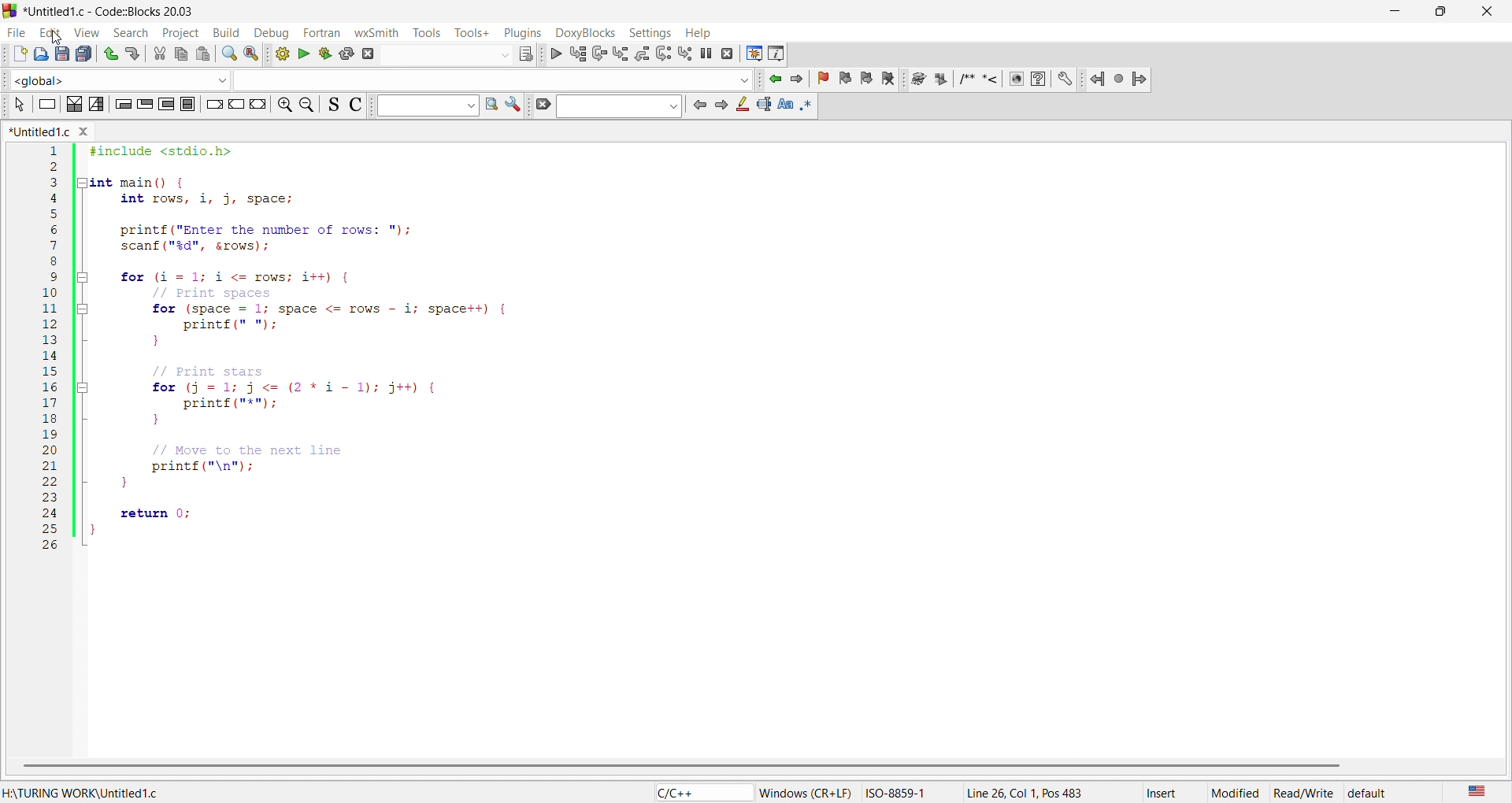  I want to click on icon, so click(19, 105).